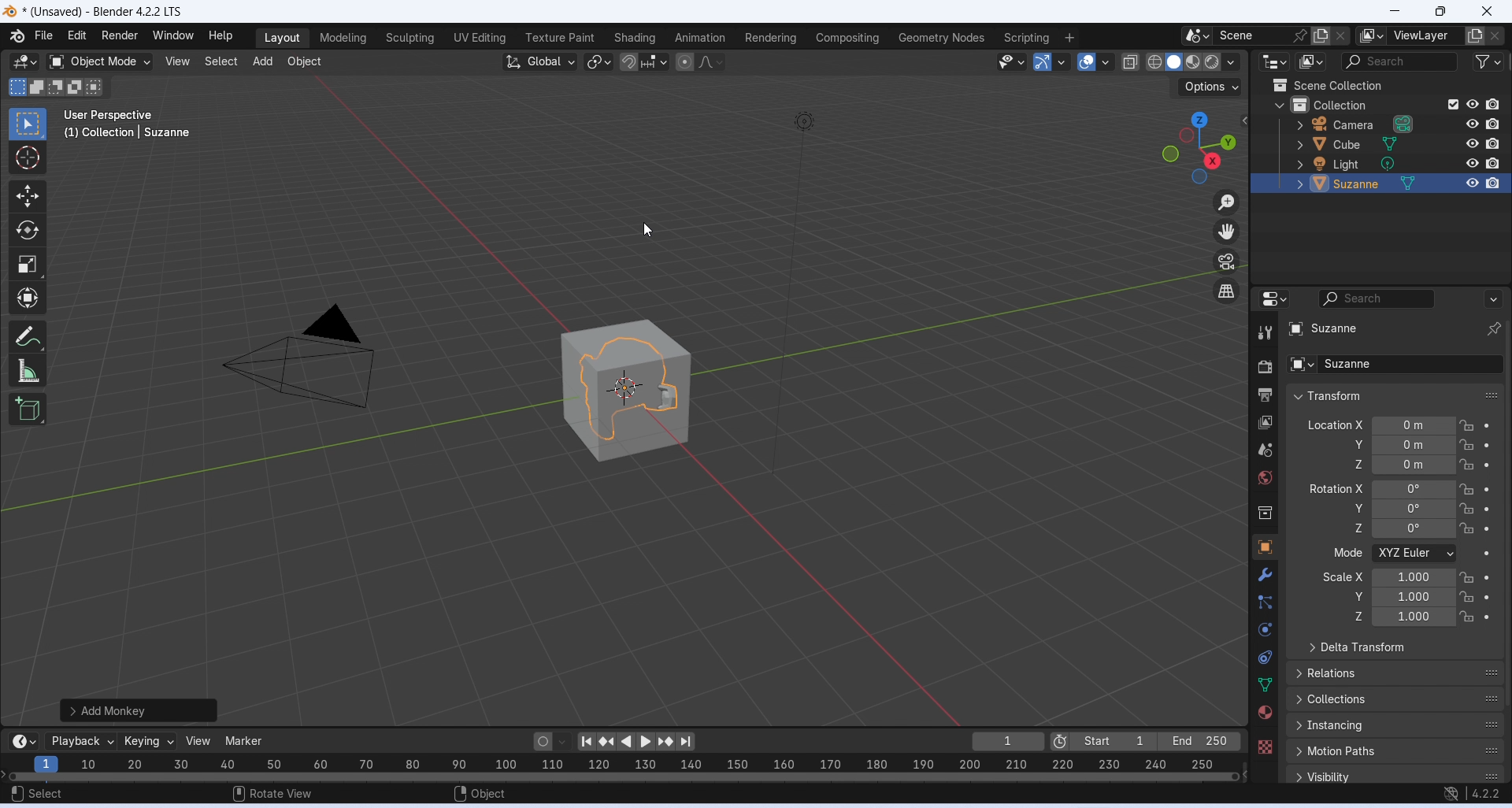  I want to click on hide in viewport, so click(1473, 124).